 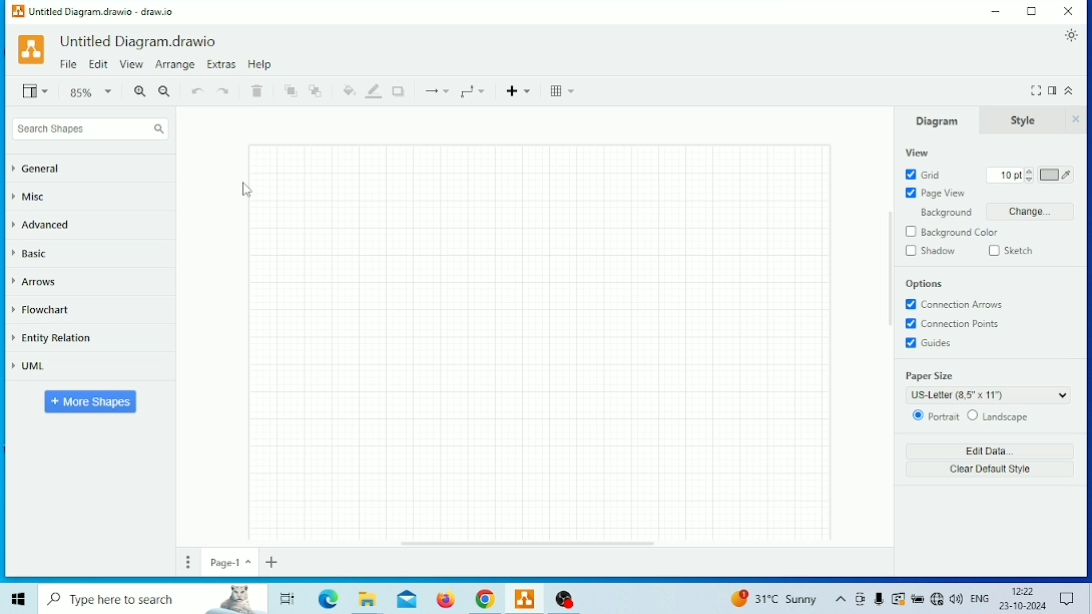 What do you see at coordinates (1022, 607) in the screenshot?
I see `23-10-2024 date` at bounding box center [1022, 607].